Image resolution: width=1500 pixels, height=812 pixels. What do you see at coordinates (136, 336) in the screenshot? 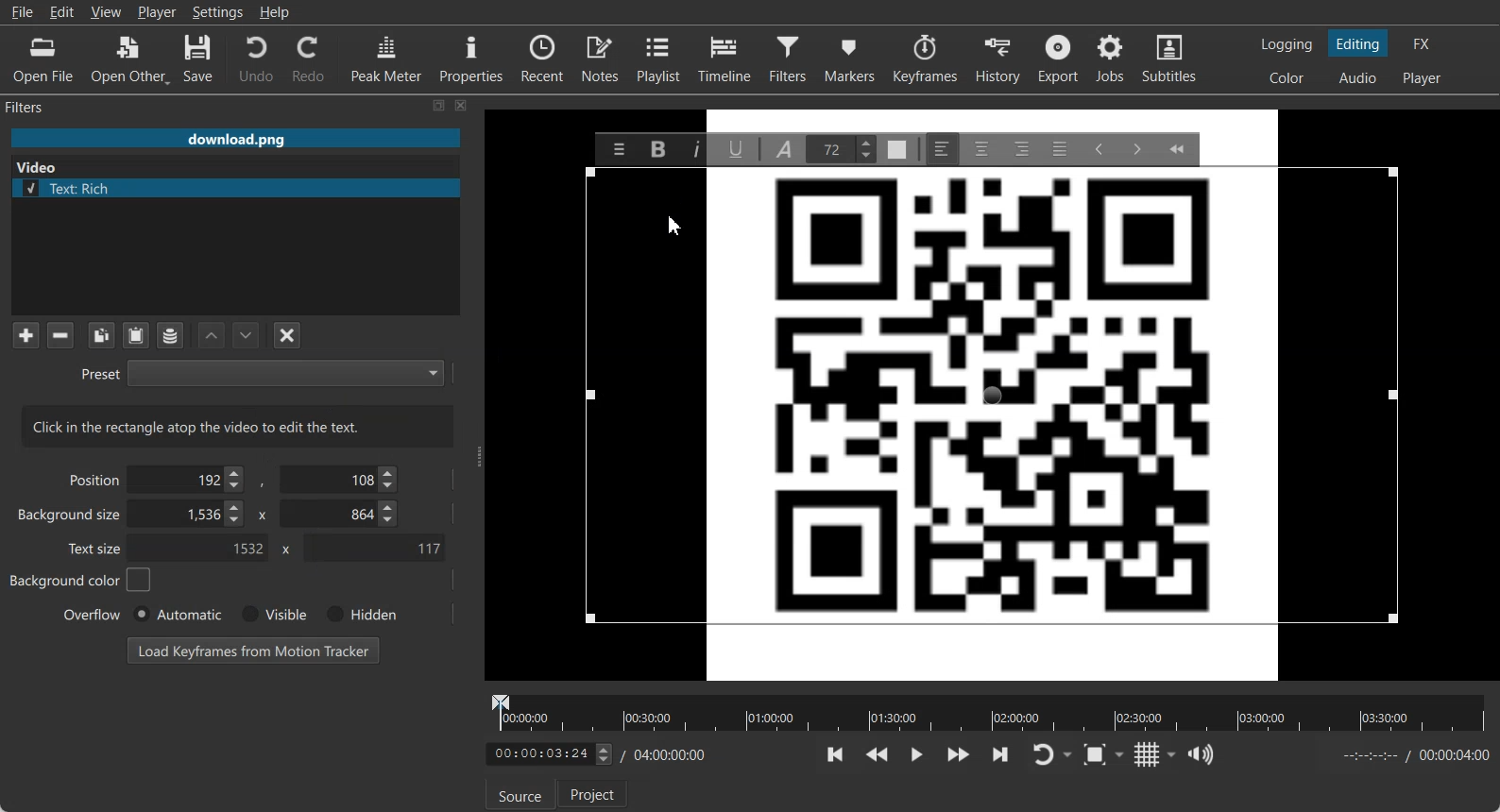
I see `Paste Filters` at bounding box center [136, 336].